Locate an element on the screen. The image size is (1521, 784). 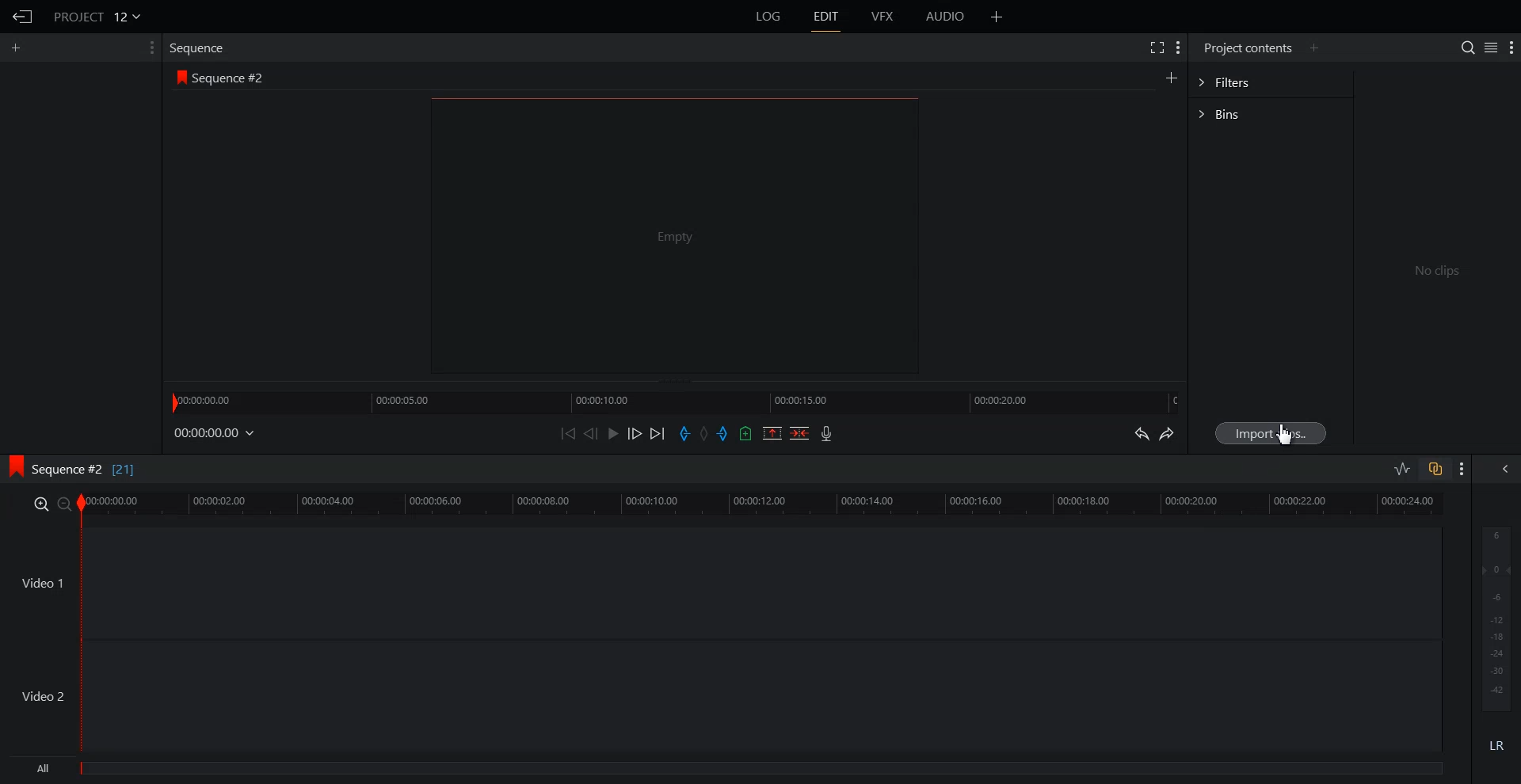
Go Back is located at coordinates (24, 17).